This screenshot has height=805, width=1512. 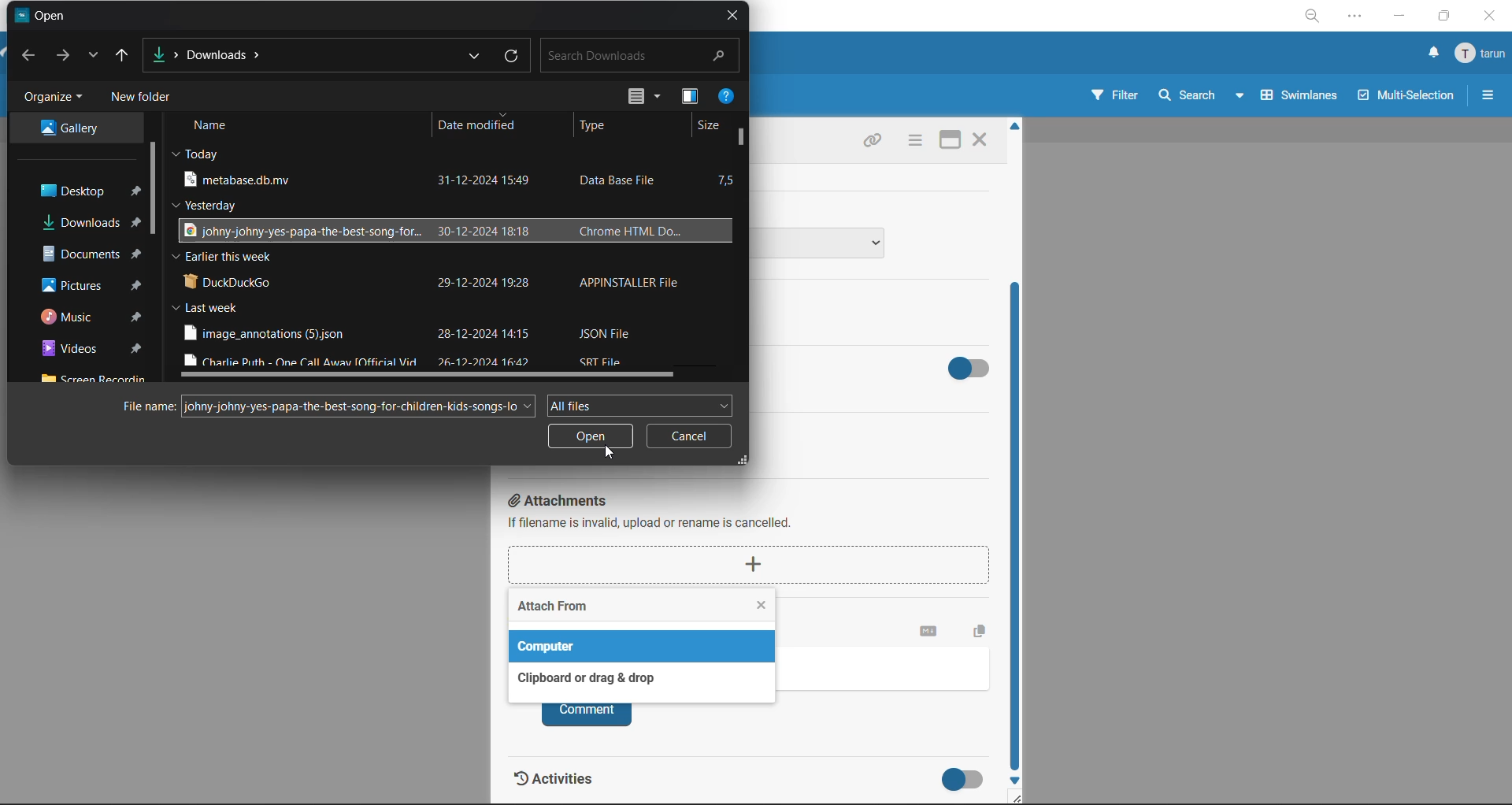 What do you see at coordinates (872, 143) in the screenshot?
I see `copy link` at bounding box center [872, 143].